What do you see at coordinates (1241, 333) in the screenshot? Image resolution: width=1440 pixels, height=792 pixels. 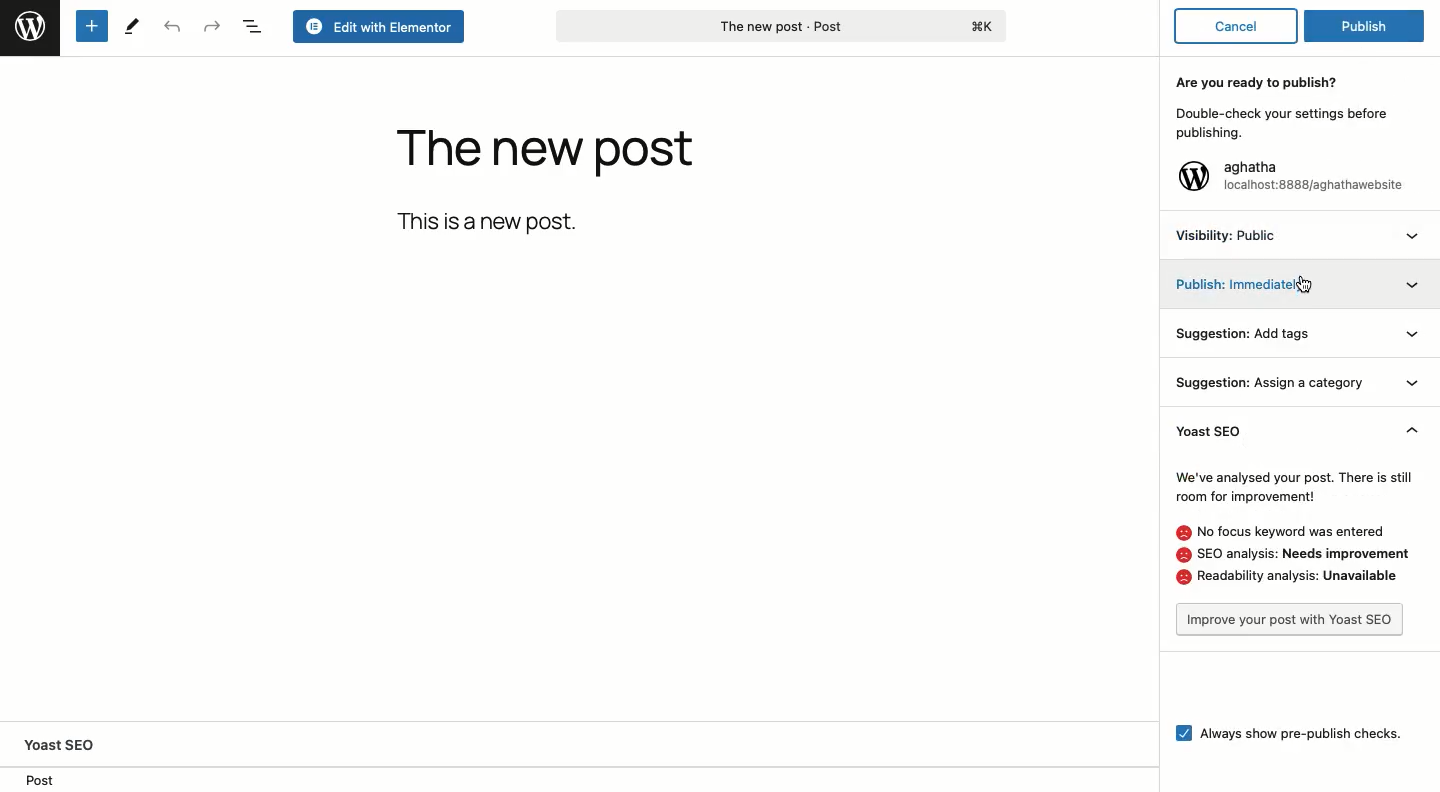 I see `Suggestion: Add tags` at bounding box center [1241, 333].